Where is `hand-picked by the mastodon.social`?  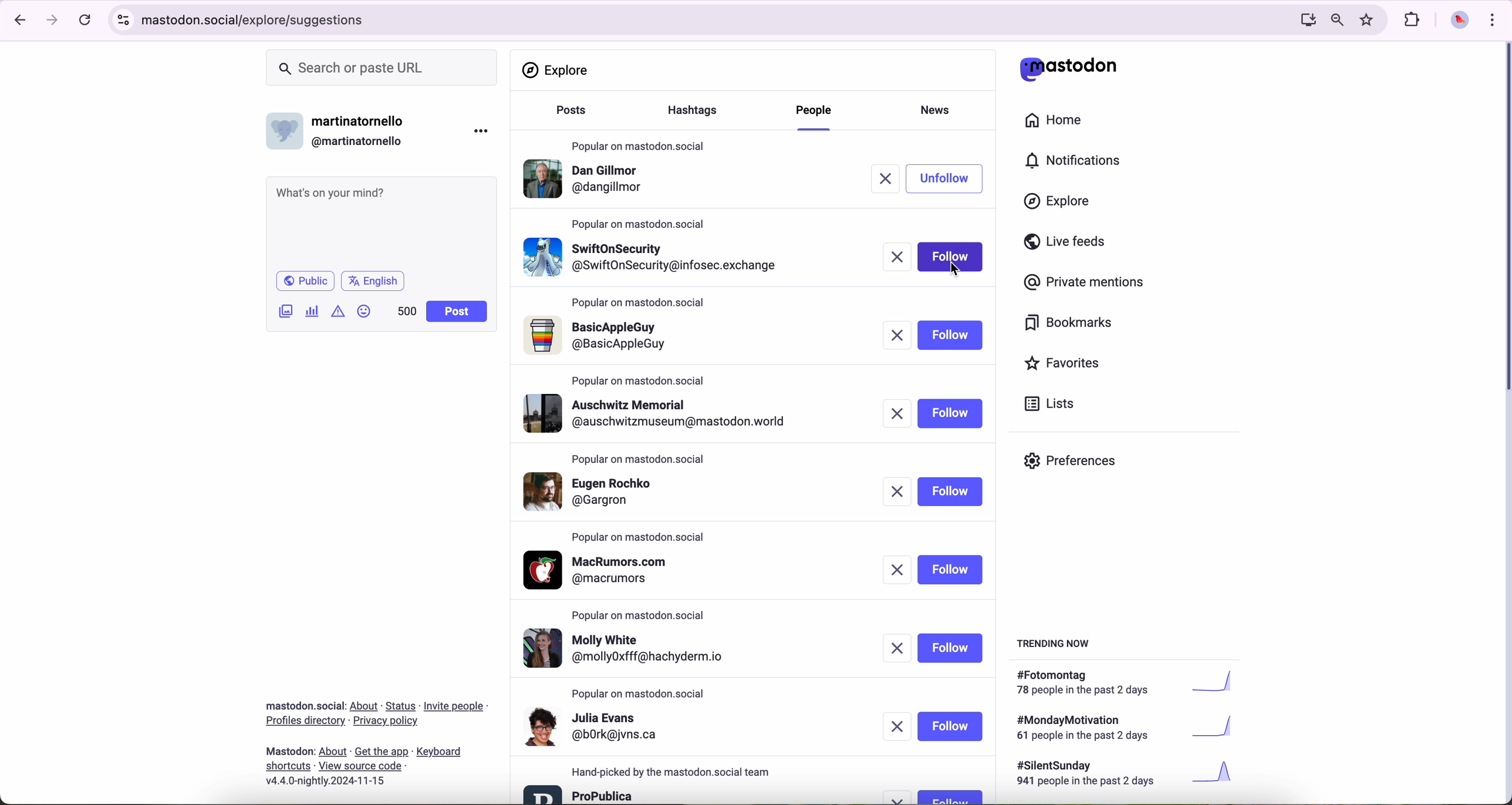 hand-picked by the mastodon.social is located at coordinates (679, 772).